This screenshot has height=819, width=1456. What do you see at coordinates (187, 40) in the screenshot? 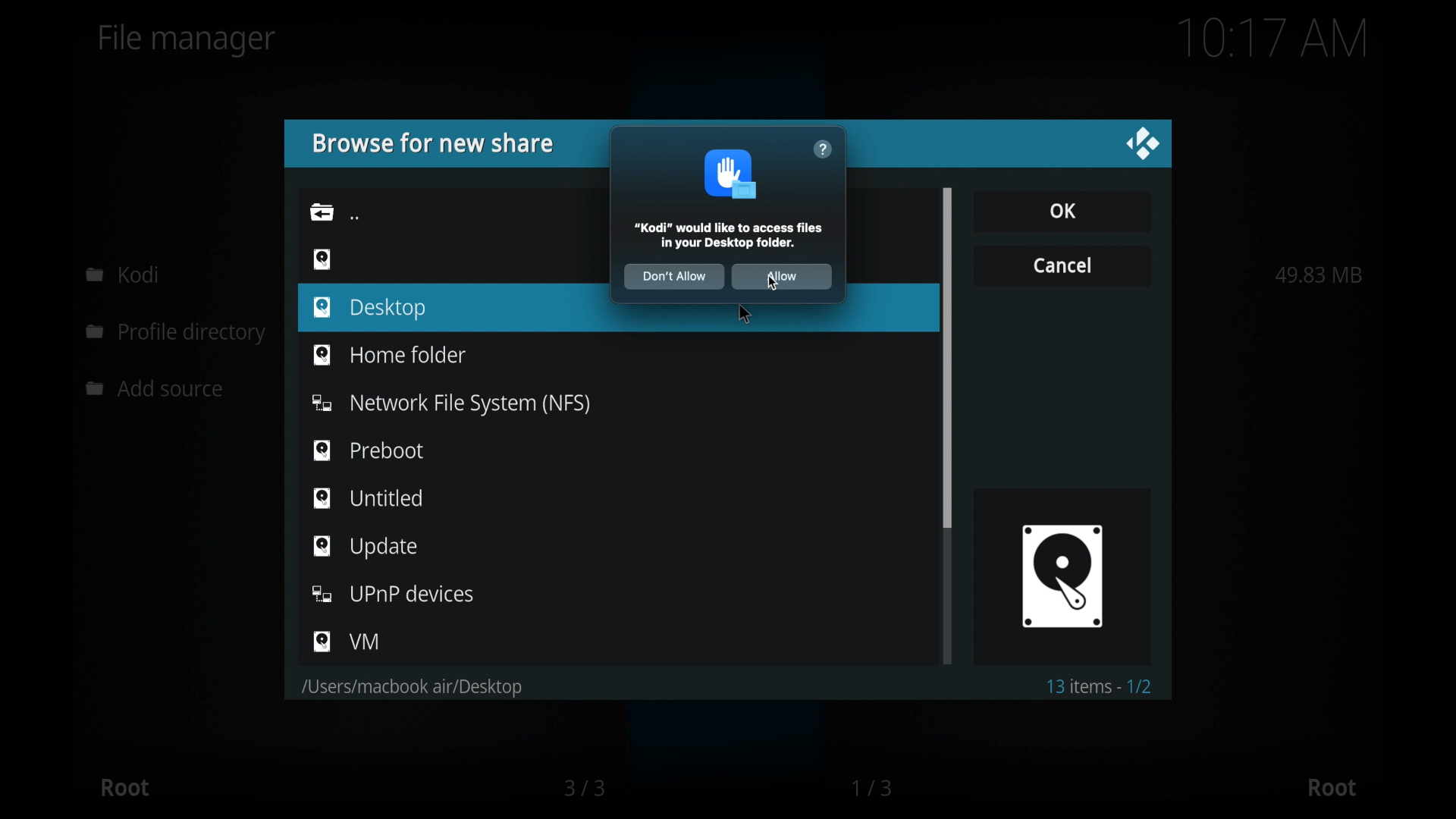
I see `file manager` at bounding box center [187, 40].